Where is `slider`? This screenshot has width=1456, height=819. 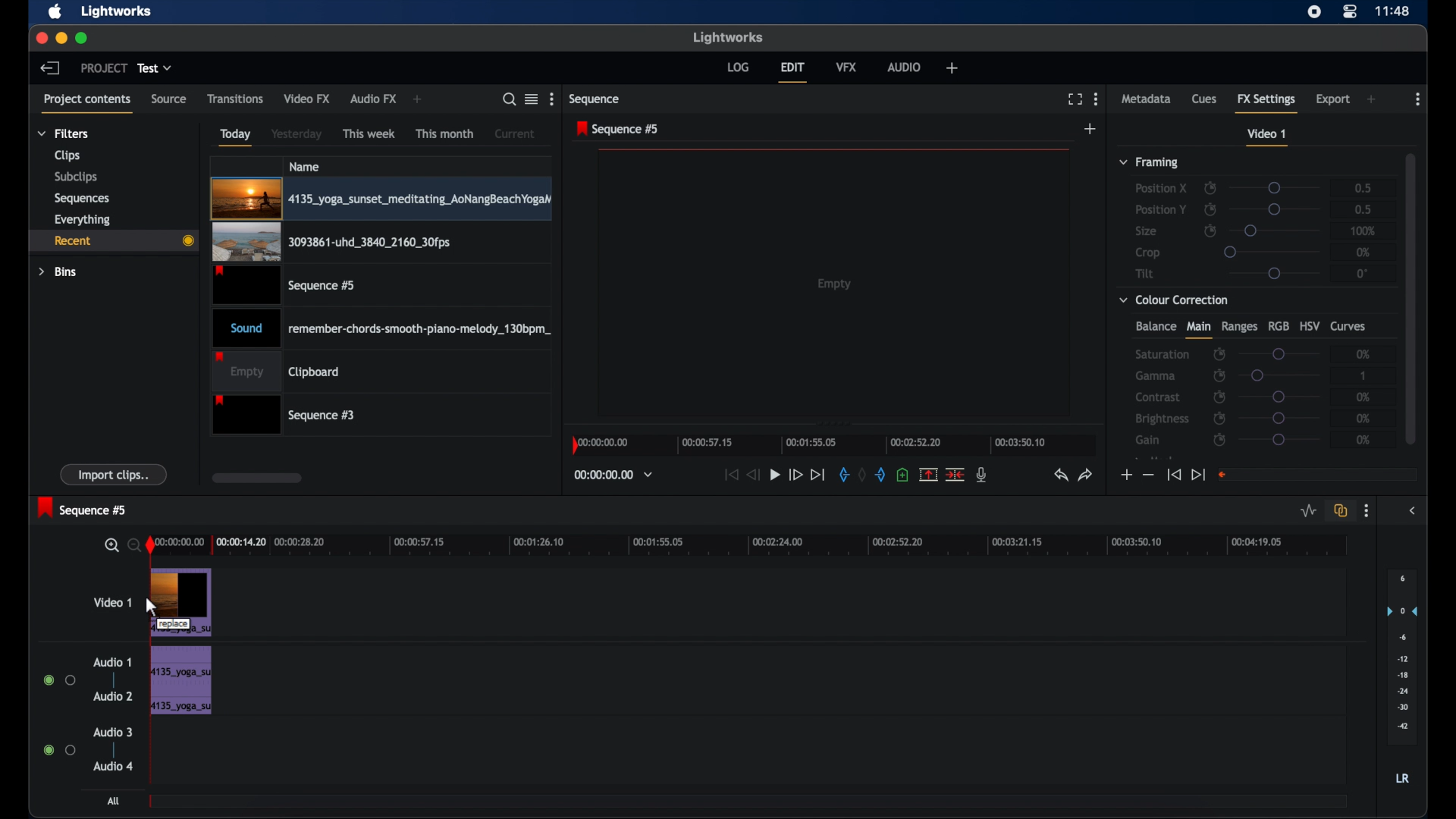 slider is located at coordinates (1273, 187).